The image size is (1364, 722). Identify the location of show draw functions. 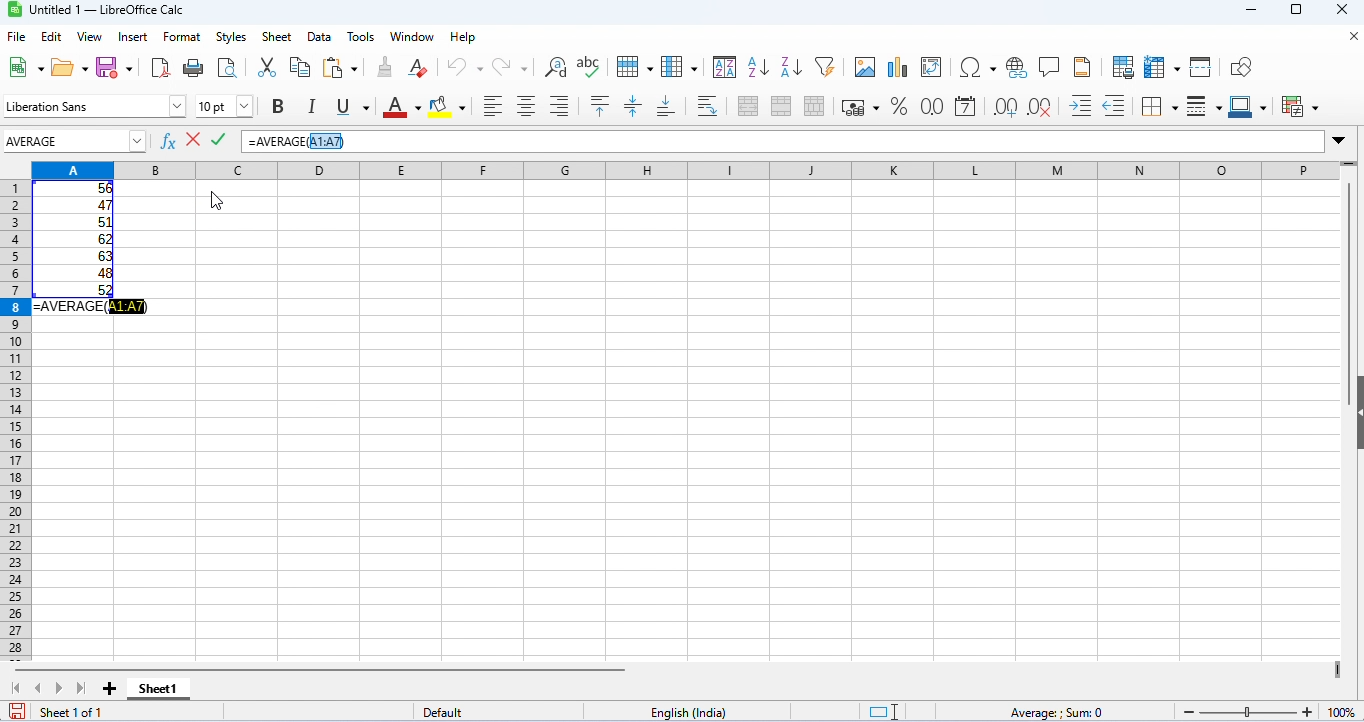
(1242, 68).